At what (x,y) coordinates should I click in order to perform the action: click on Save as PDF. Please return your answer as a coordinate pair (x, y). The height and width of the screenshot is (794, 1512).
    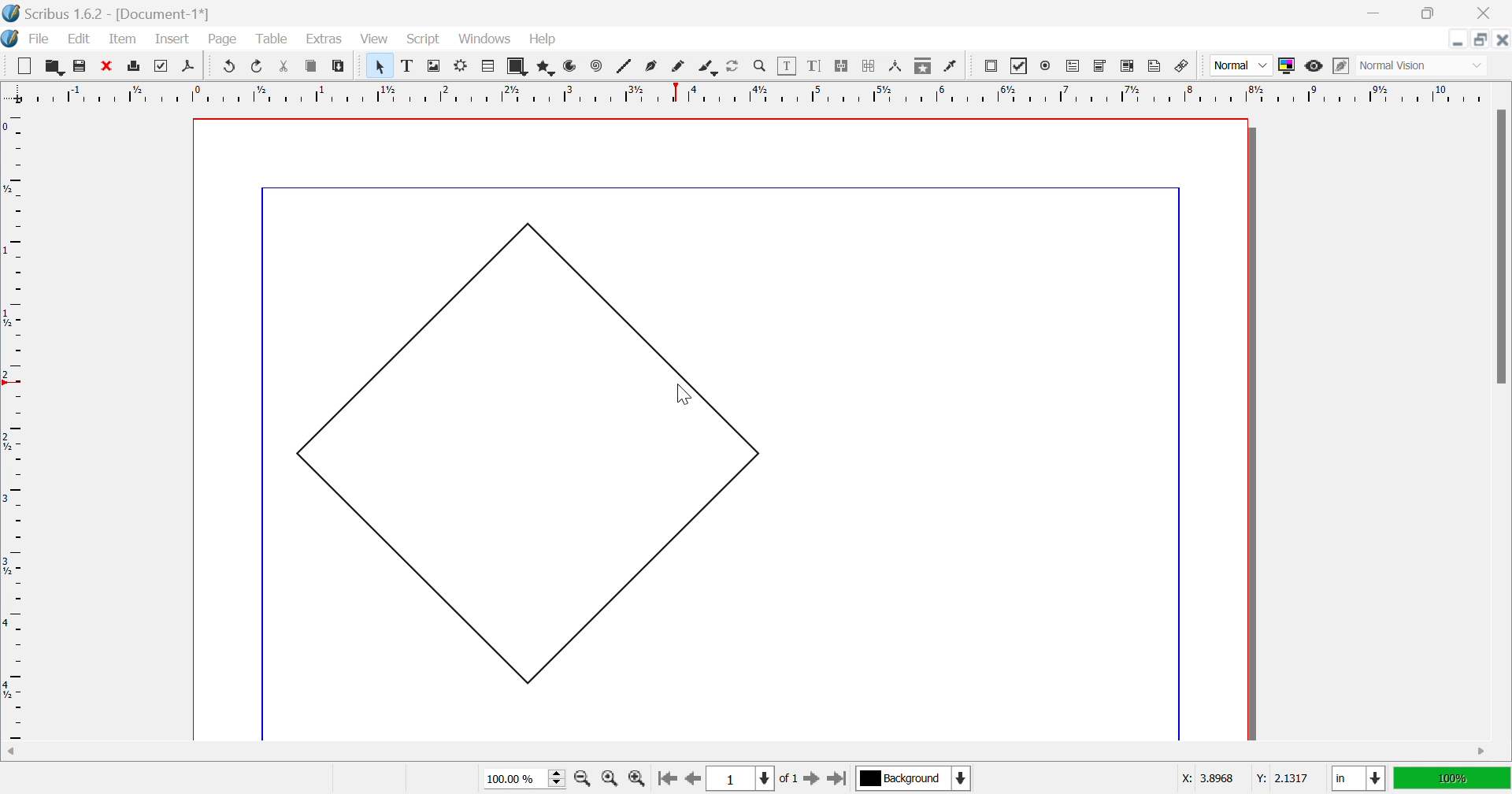
    Looking at the image, I should click on (192, 67).